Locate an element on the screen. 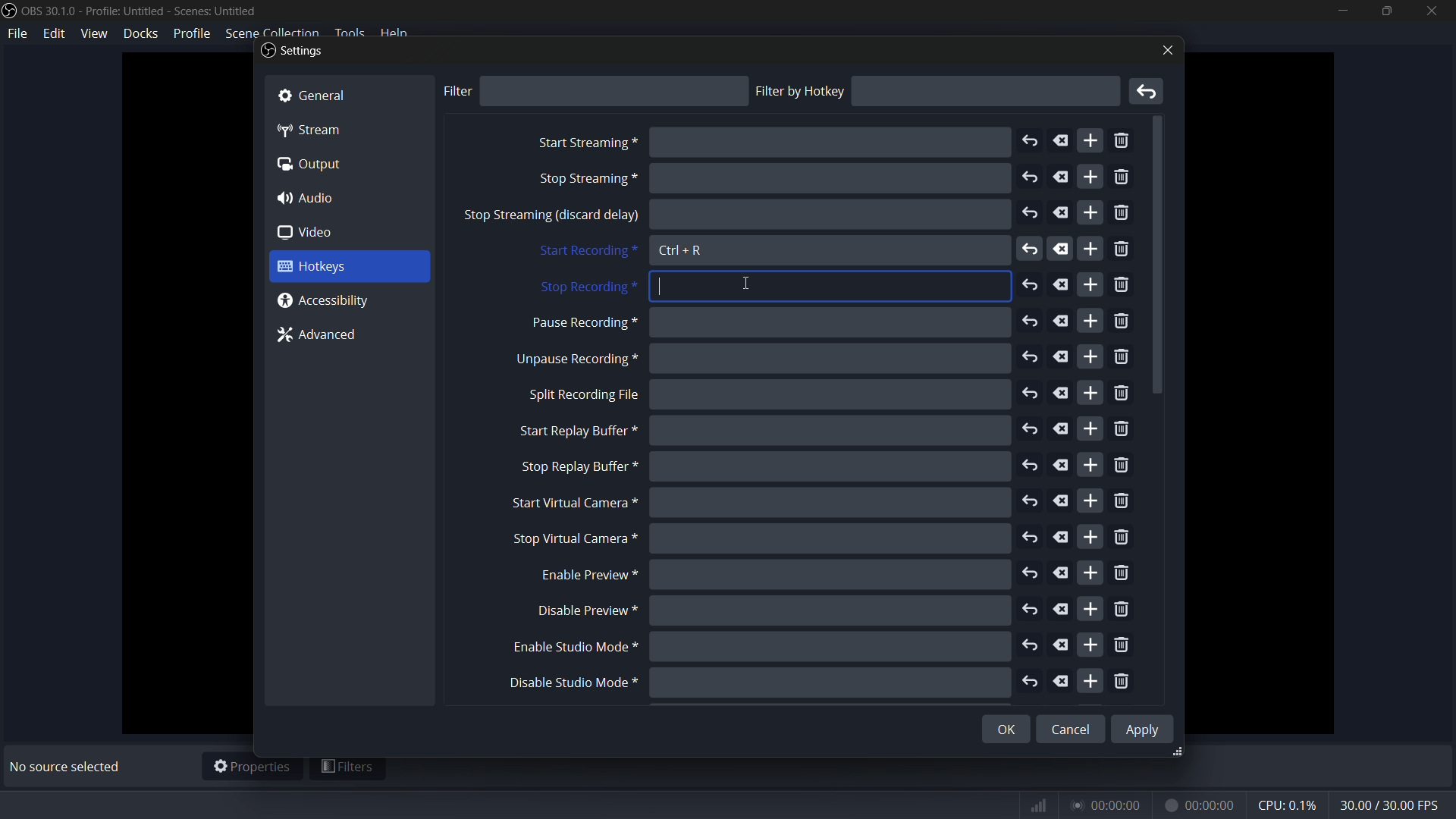 Image resolution: width=1456 pixels, height=819 pixels. close app is located at coordinates (1432, 11).